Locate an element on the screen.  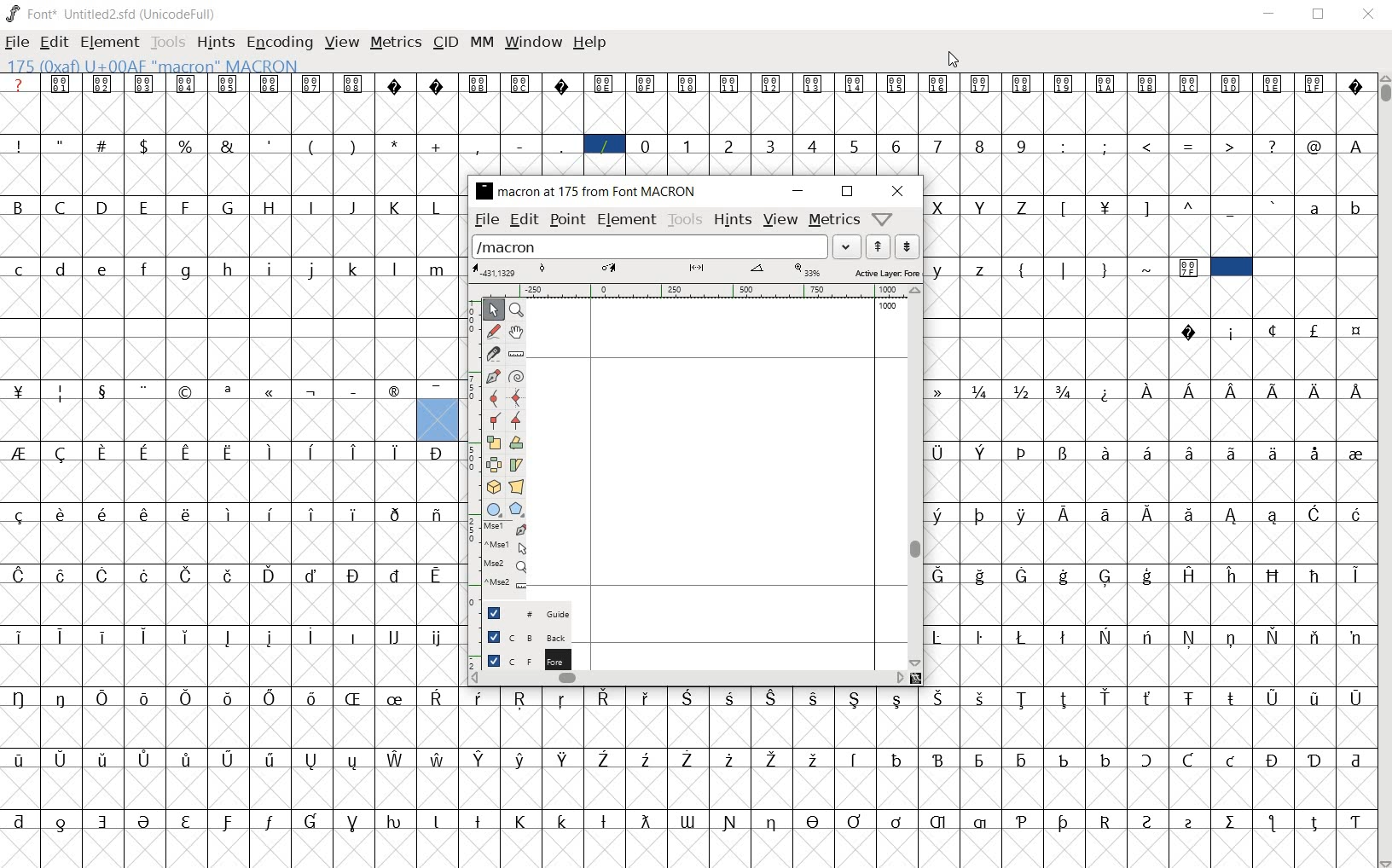
^ is located at coordinates (1190, 206).